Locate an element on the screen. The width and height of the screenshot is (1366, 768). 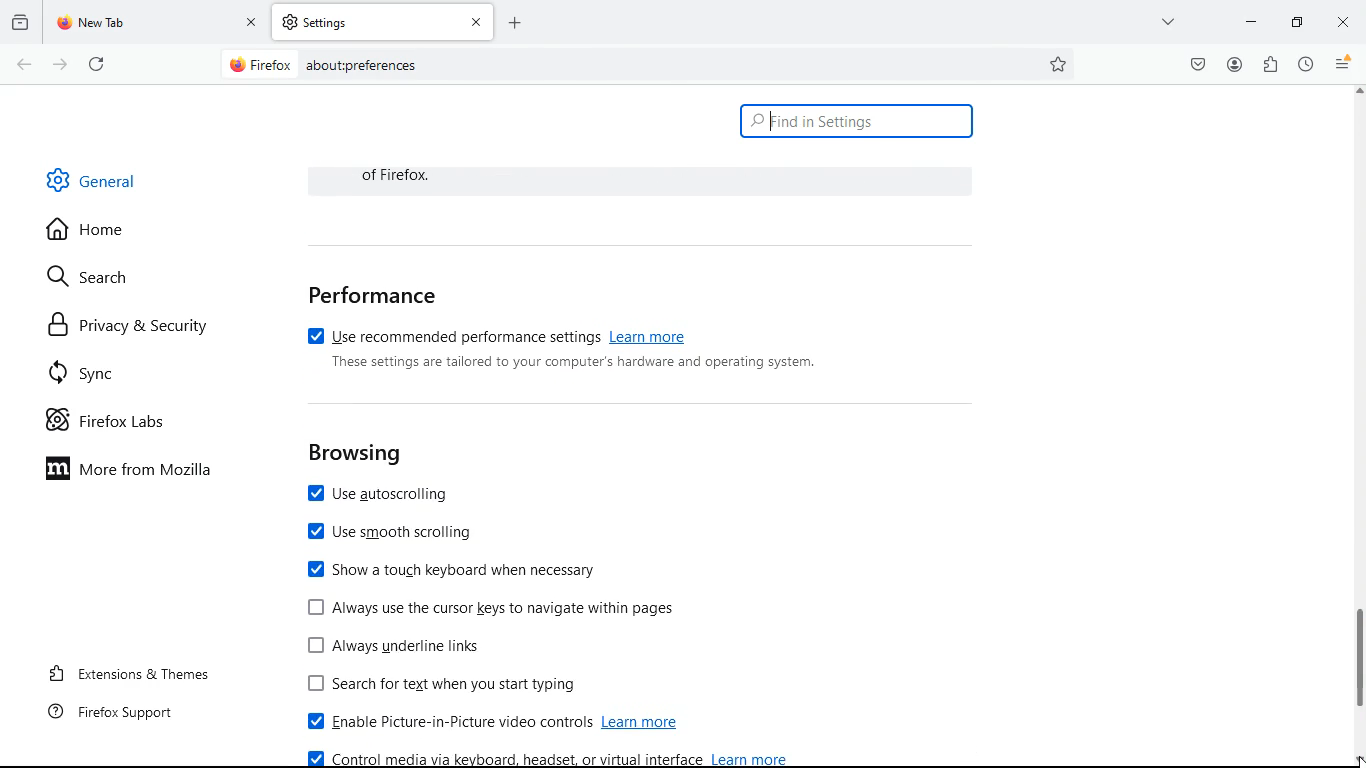
find in settings is located at coordinates (856, 122).